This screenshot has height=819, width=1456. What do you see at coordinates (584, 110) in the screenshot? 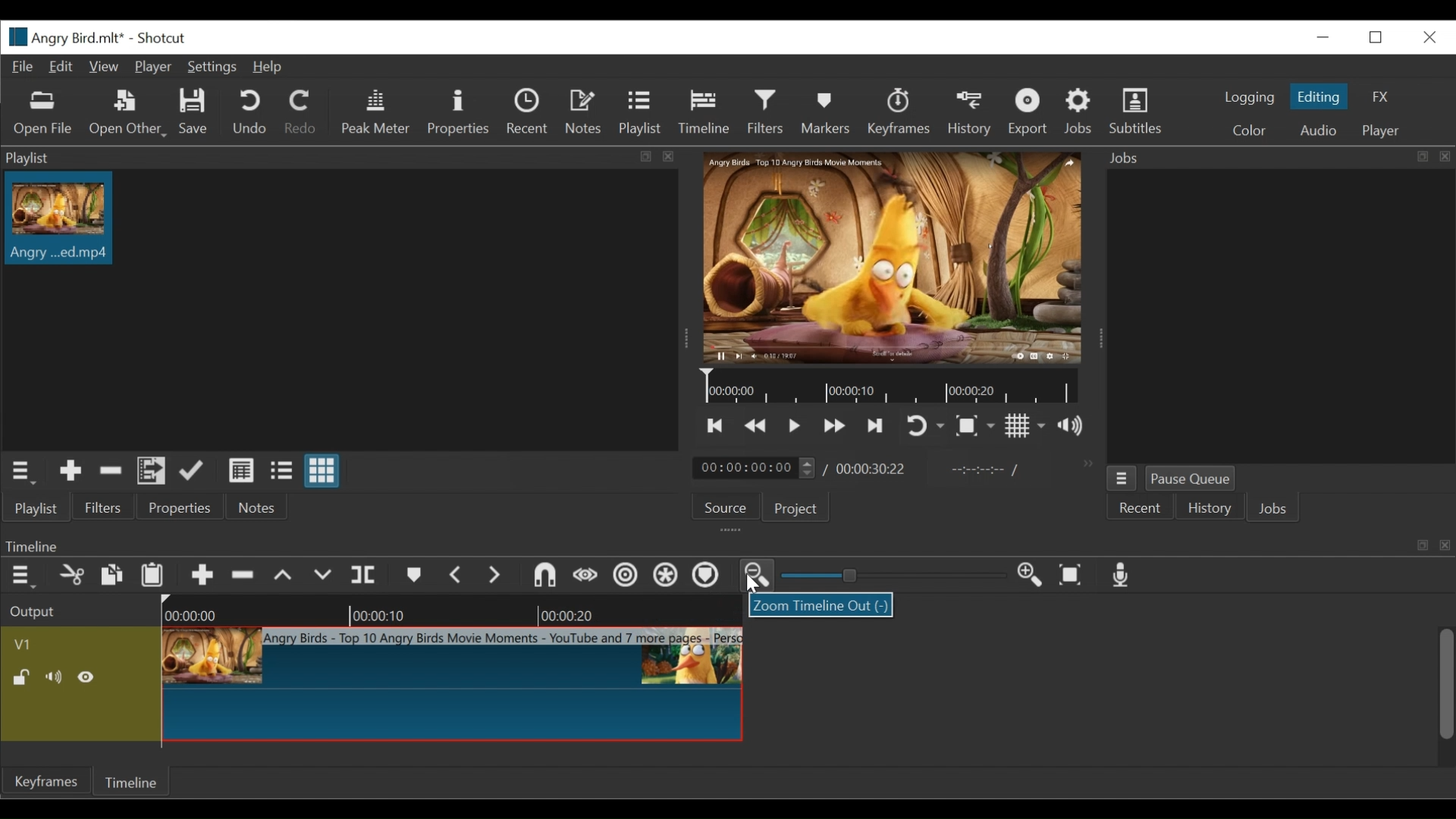
I see `Notes` at bounding box center [584, 110].